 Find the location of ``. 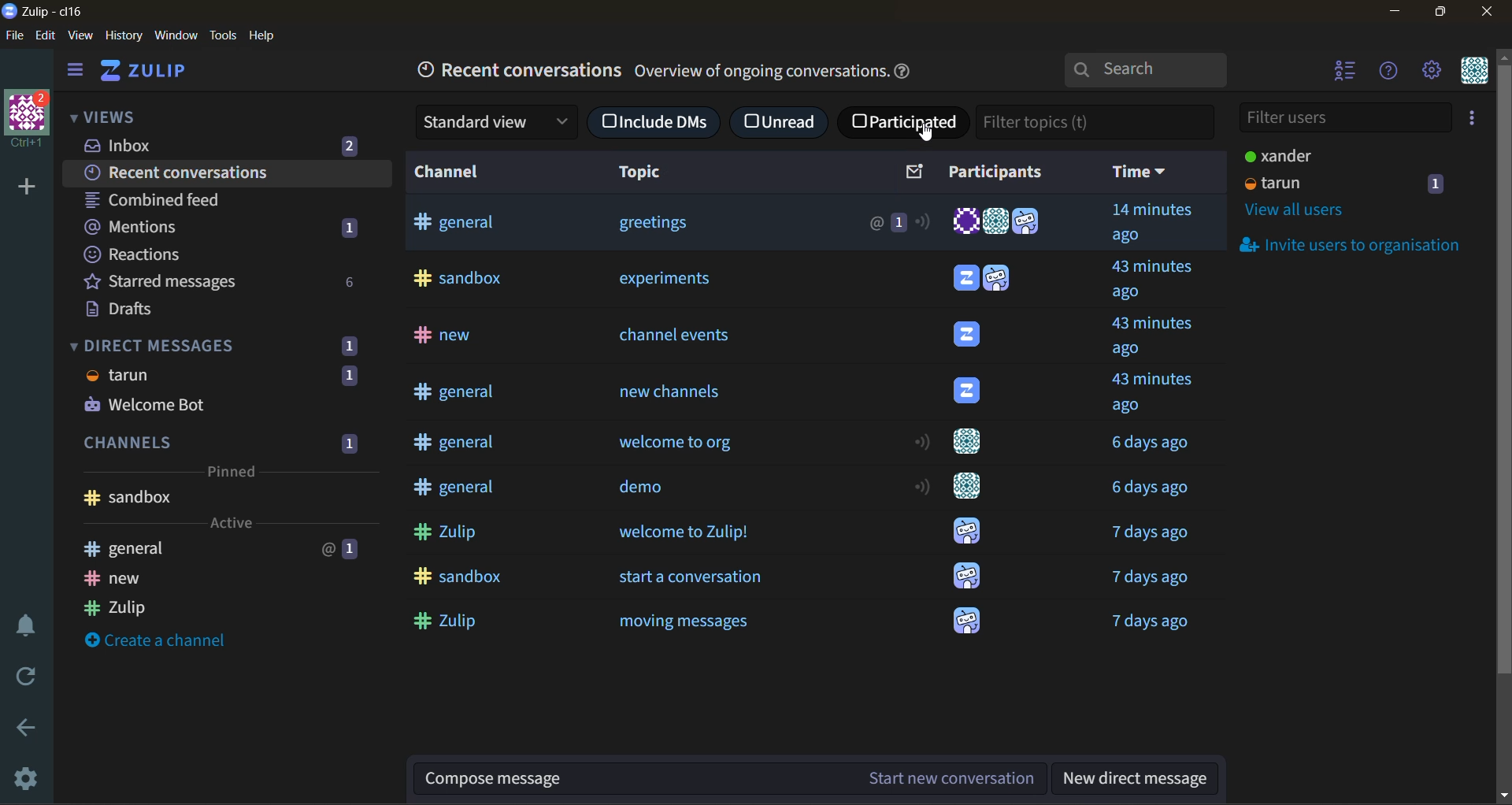

 is located at coordinates (972, 336).